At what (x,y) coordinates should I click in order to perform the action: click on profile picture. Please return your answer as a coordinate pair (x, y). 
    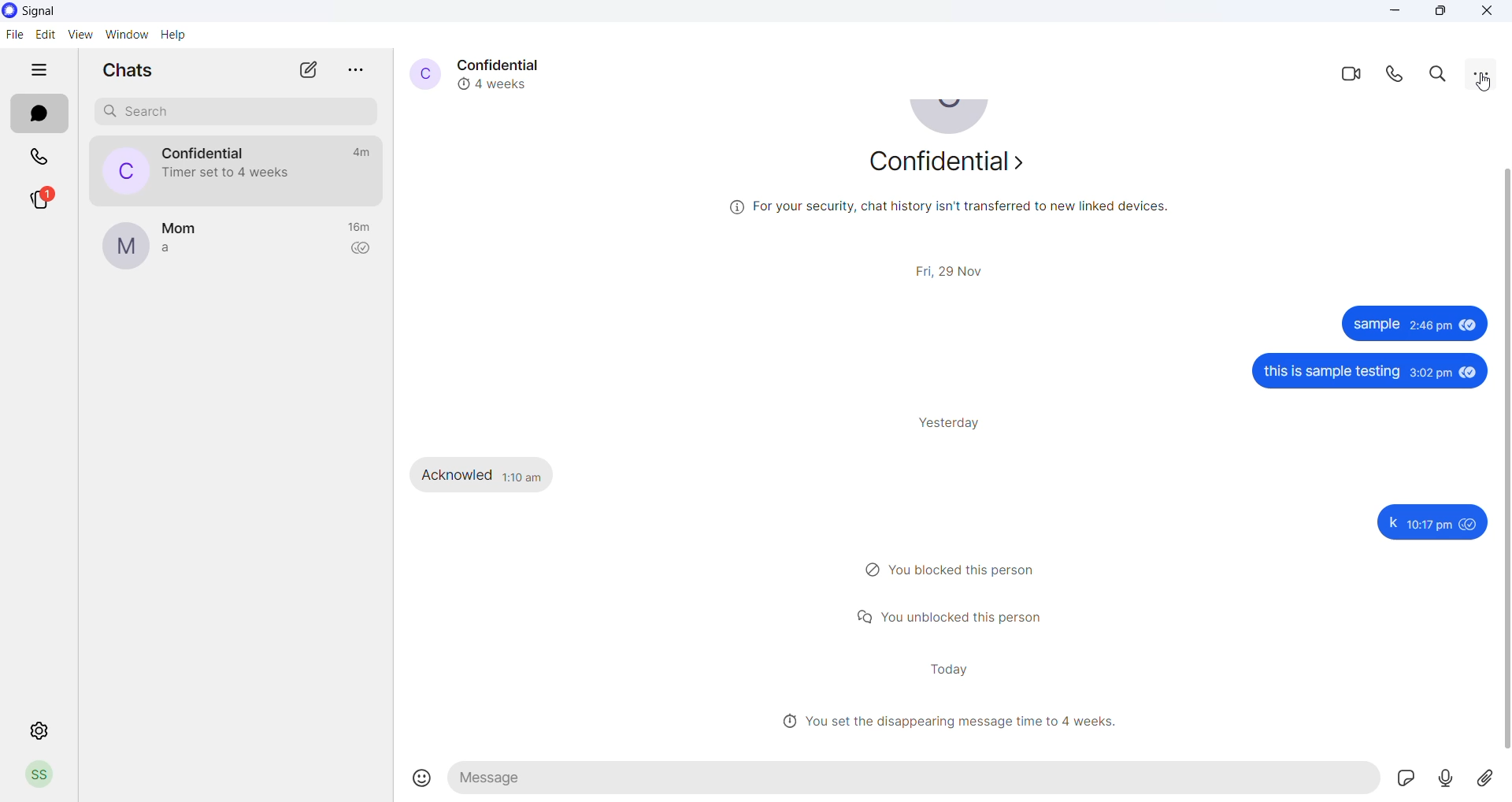
    Looking at the image, I should click on (953, 121).